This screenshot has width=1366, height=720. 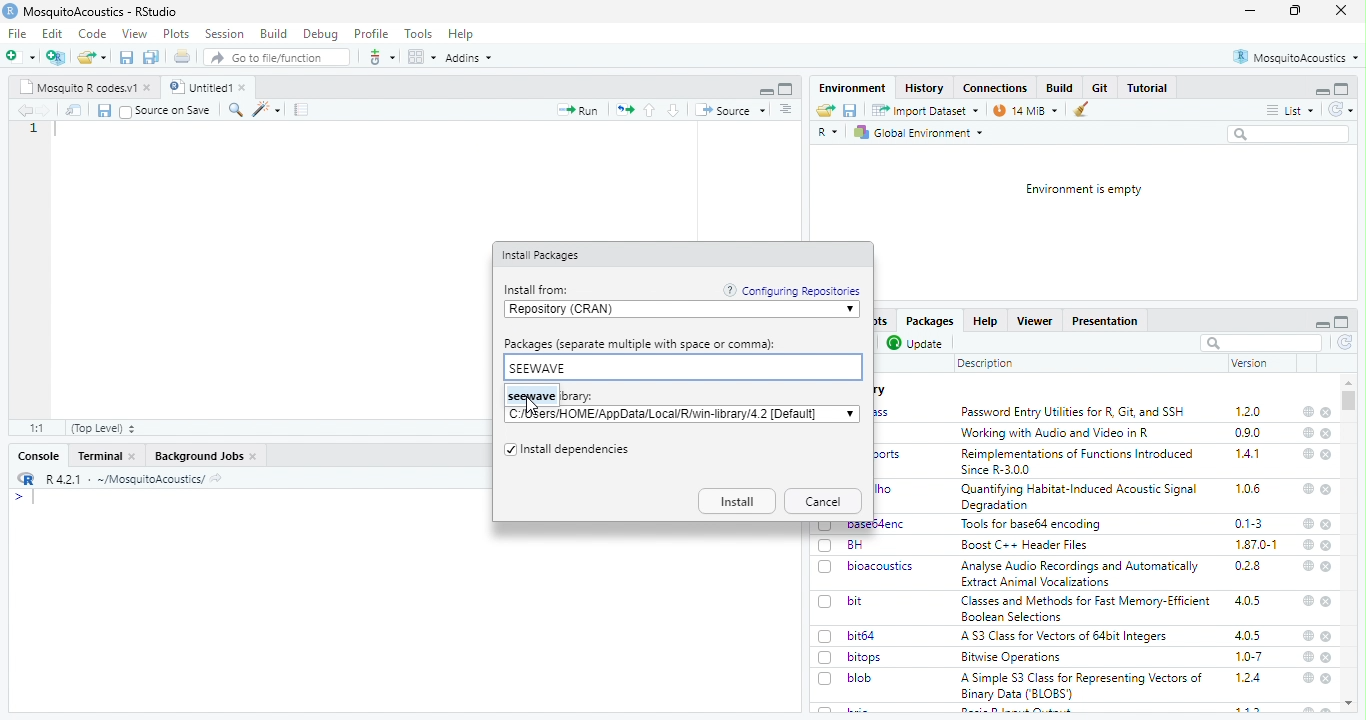 I want to click on close, so click(x=1342, y=10).